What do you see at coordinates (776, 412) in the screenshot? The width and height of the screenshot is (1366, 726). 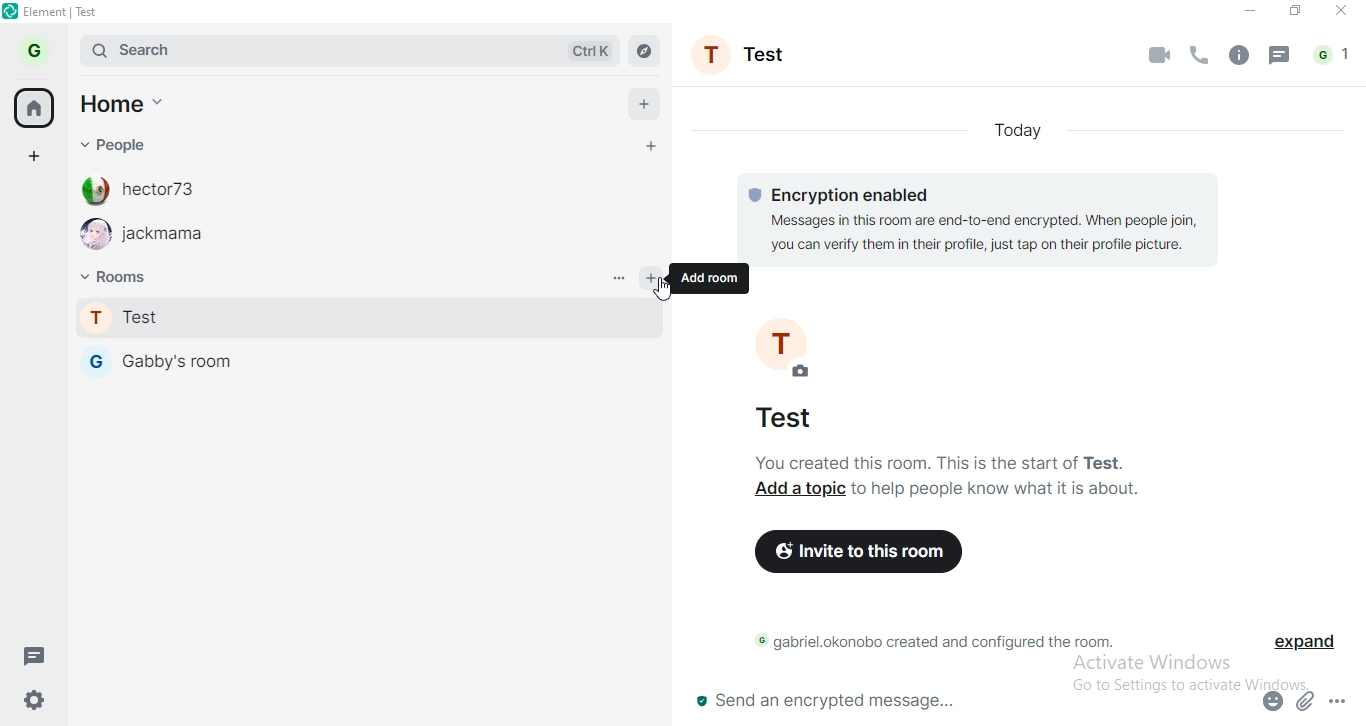 I see `test` at bounding box center [776, 412].